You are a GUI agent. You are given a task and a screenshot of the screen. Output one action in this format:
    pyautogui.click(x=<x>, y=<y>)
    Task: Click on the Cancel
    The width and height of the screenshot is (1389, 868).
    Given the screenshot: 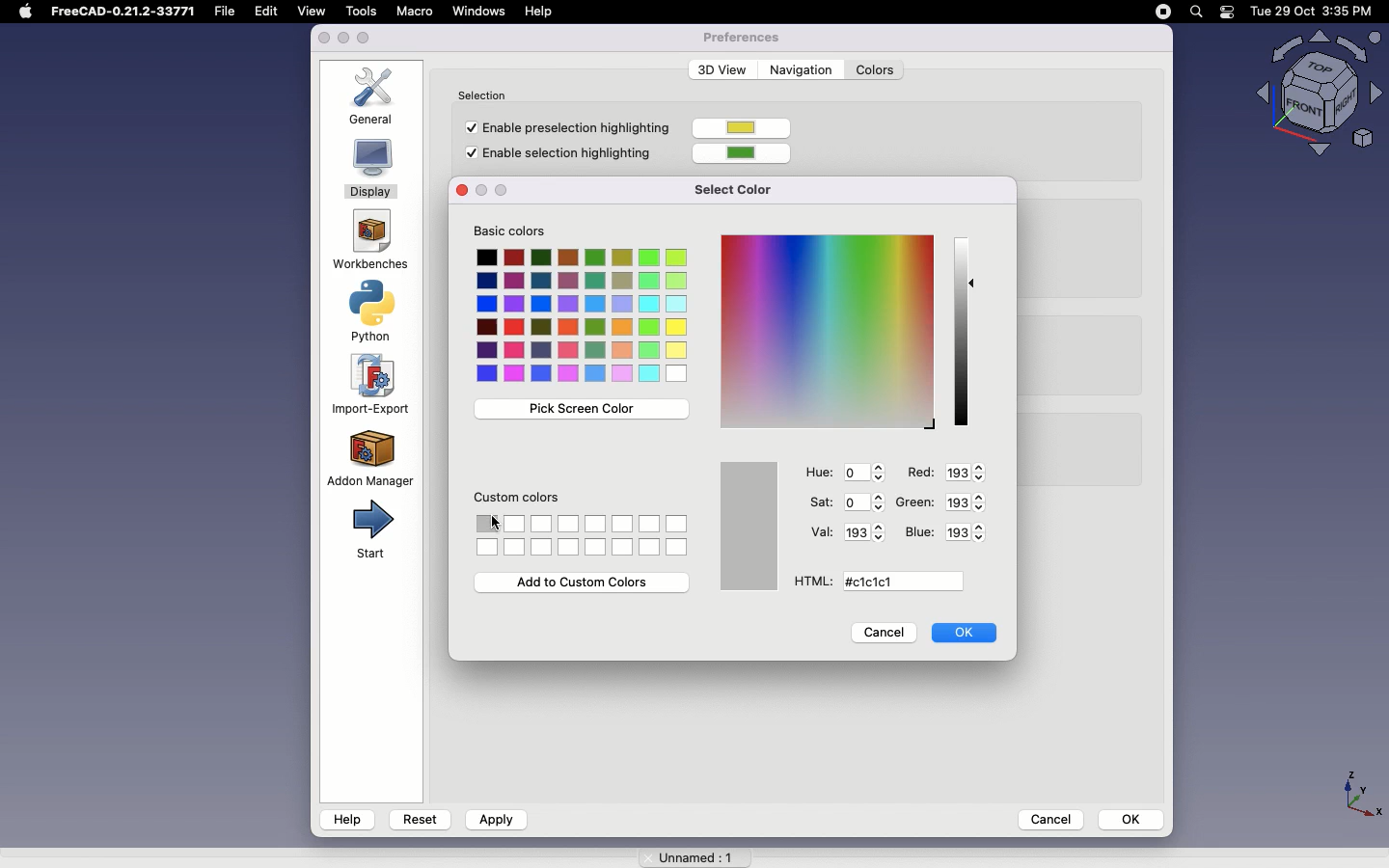 What is the action you would take?
    pyautogui.click(x=885, y=635)
    